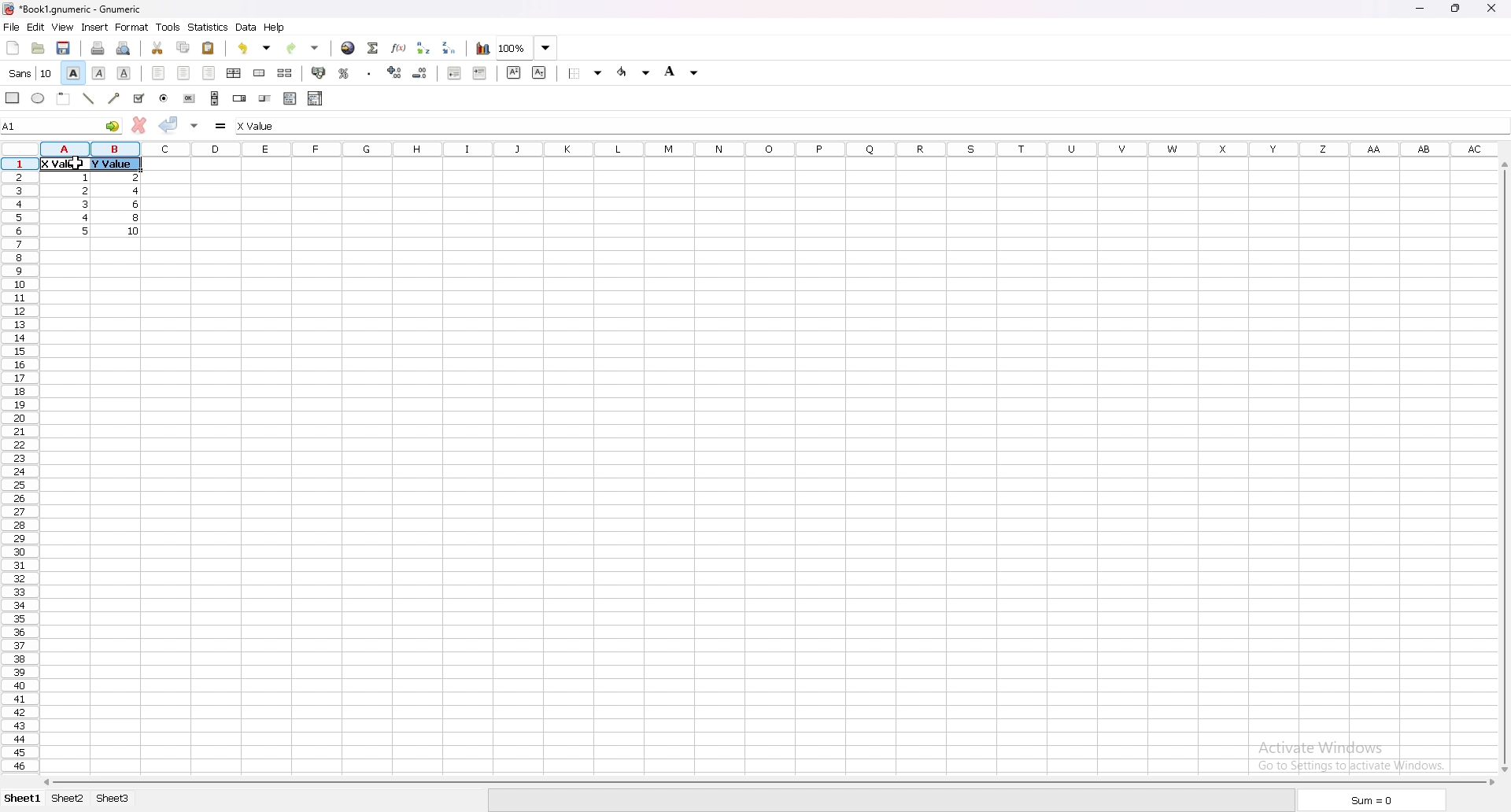 Image resolution: width=1511 pixels, height=812 pixels. Describe the element at coordinates (95, 27) in the screenshot. I see `insert` at that location.